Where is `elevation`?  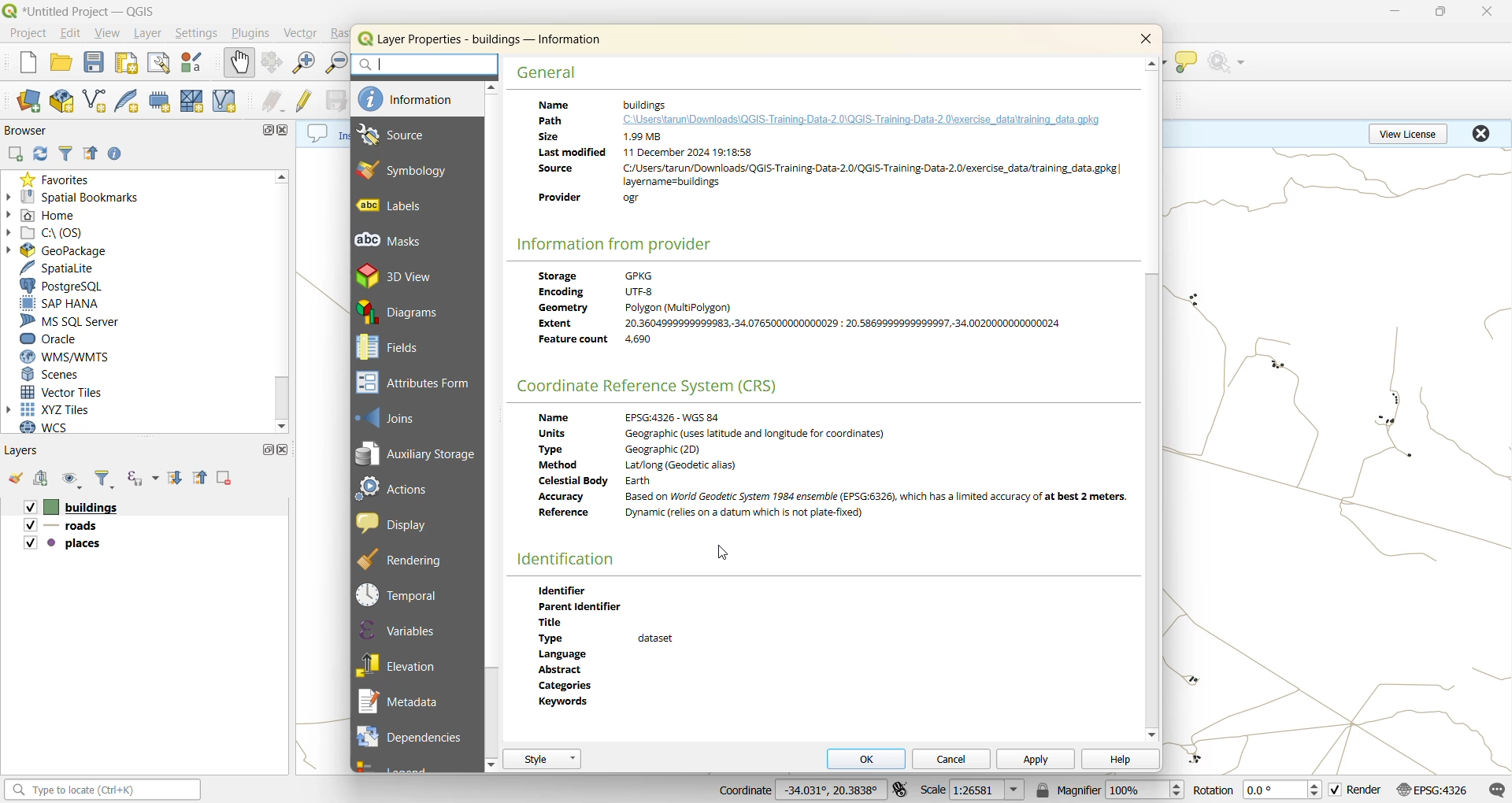
elevation is located at coordinates (409, 664).